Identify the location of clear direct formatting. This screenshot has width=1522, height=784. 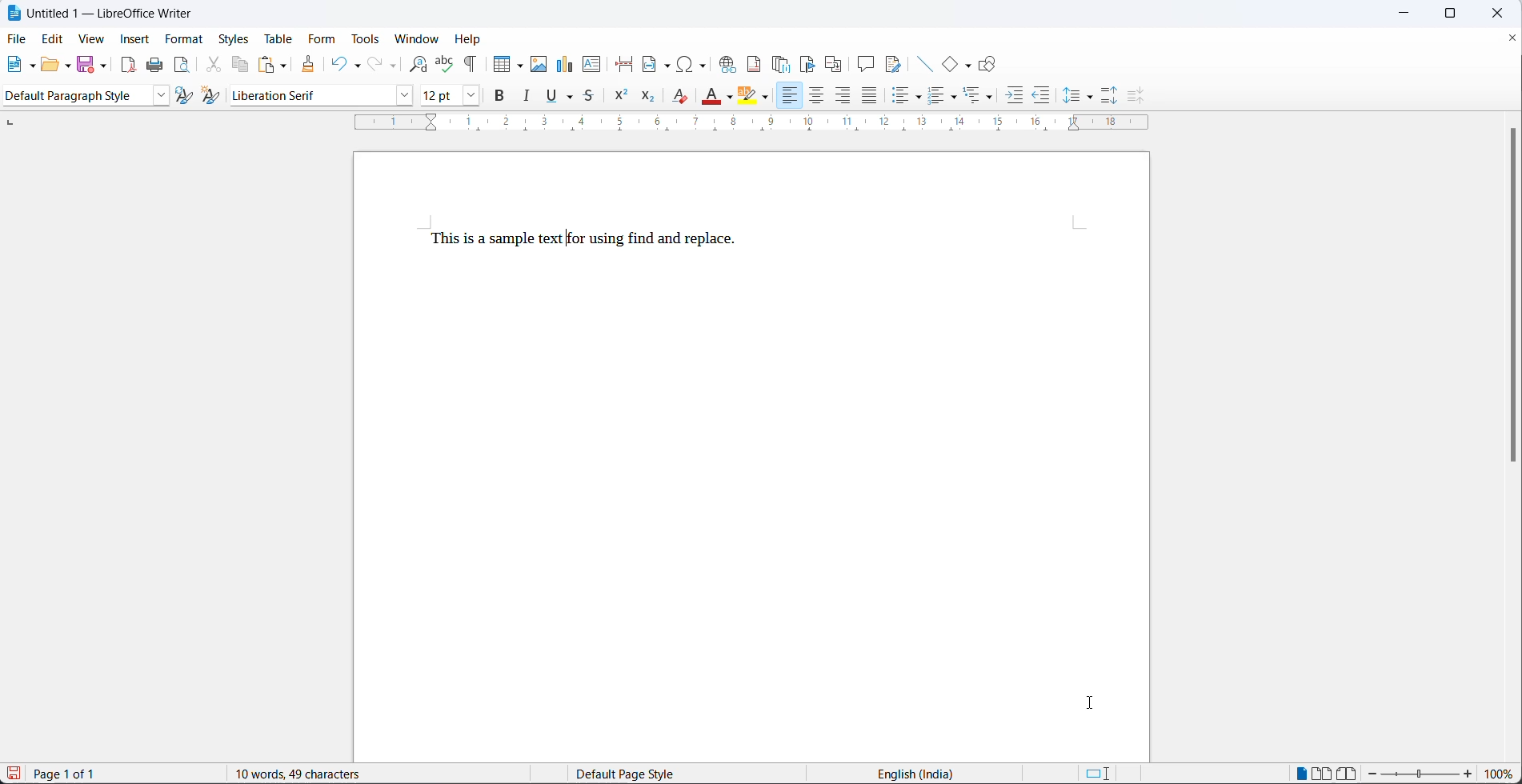
(679, 99).